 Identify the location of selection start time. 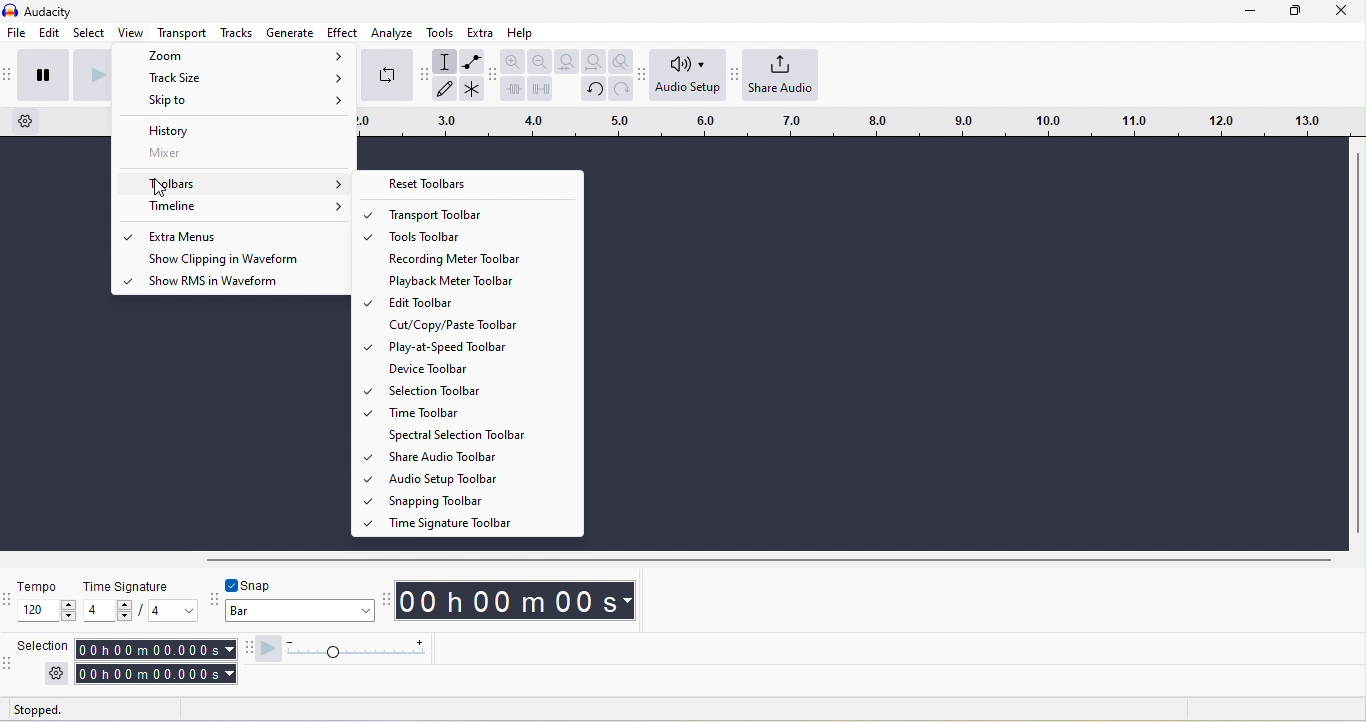
(155, 650).